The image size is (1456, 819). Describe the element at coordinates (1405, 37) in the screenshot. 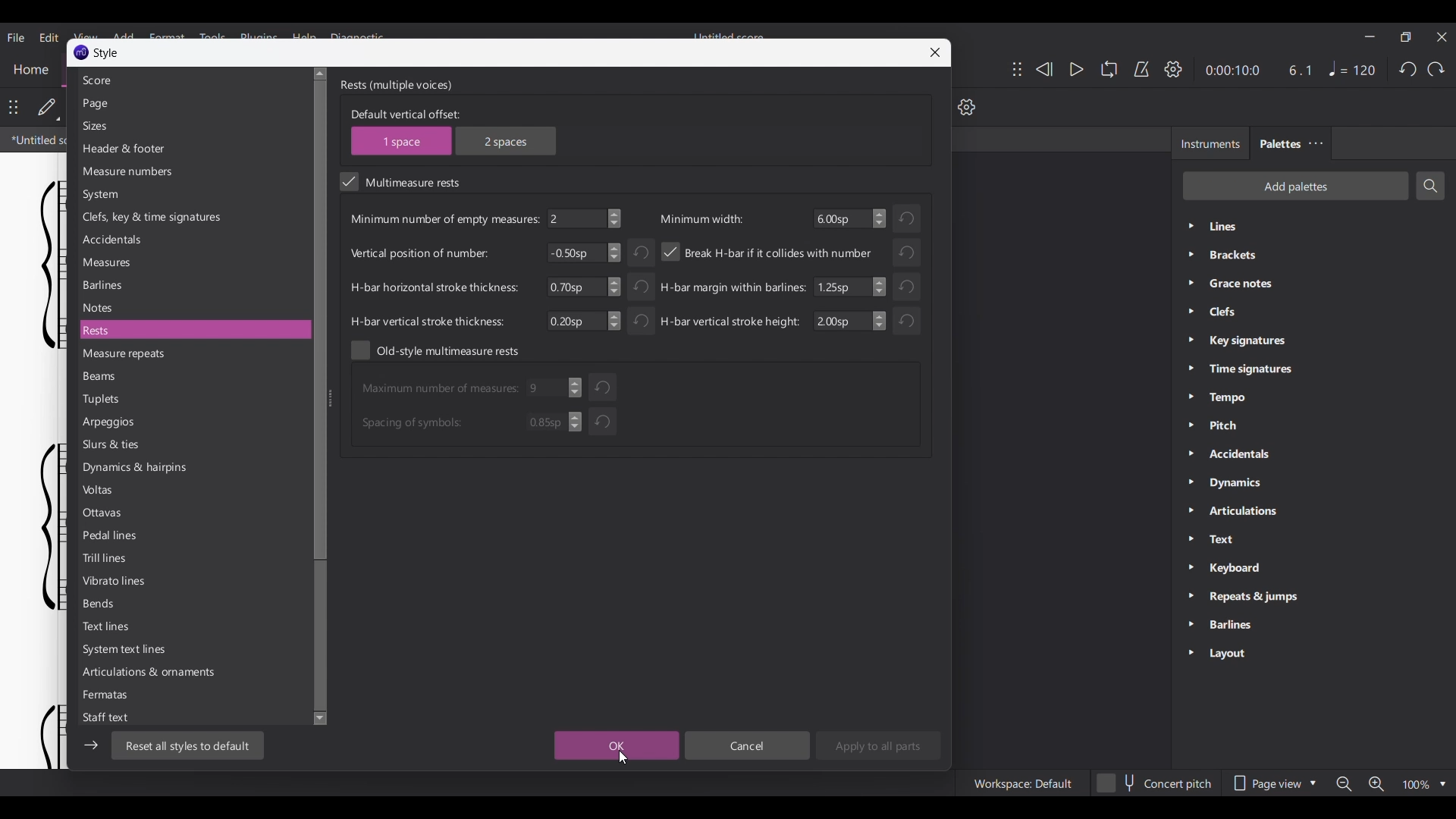

I see `Show interface in a smaller tab` at that location.